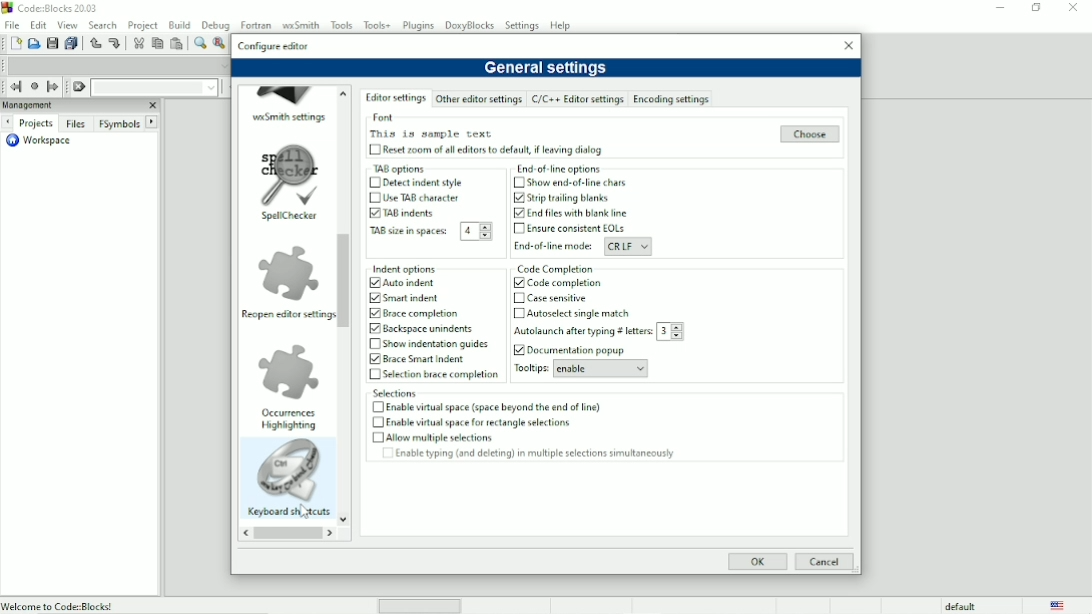  What do you see at coordinates (1059, 605) in the screenshot?
I see `Language` at bounding box center [1059, 605].